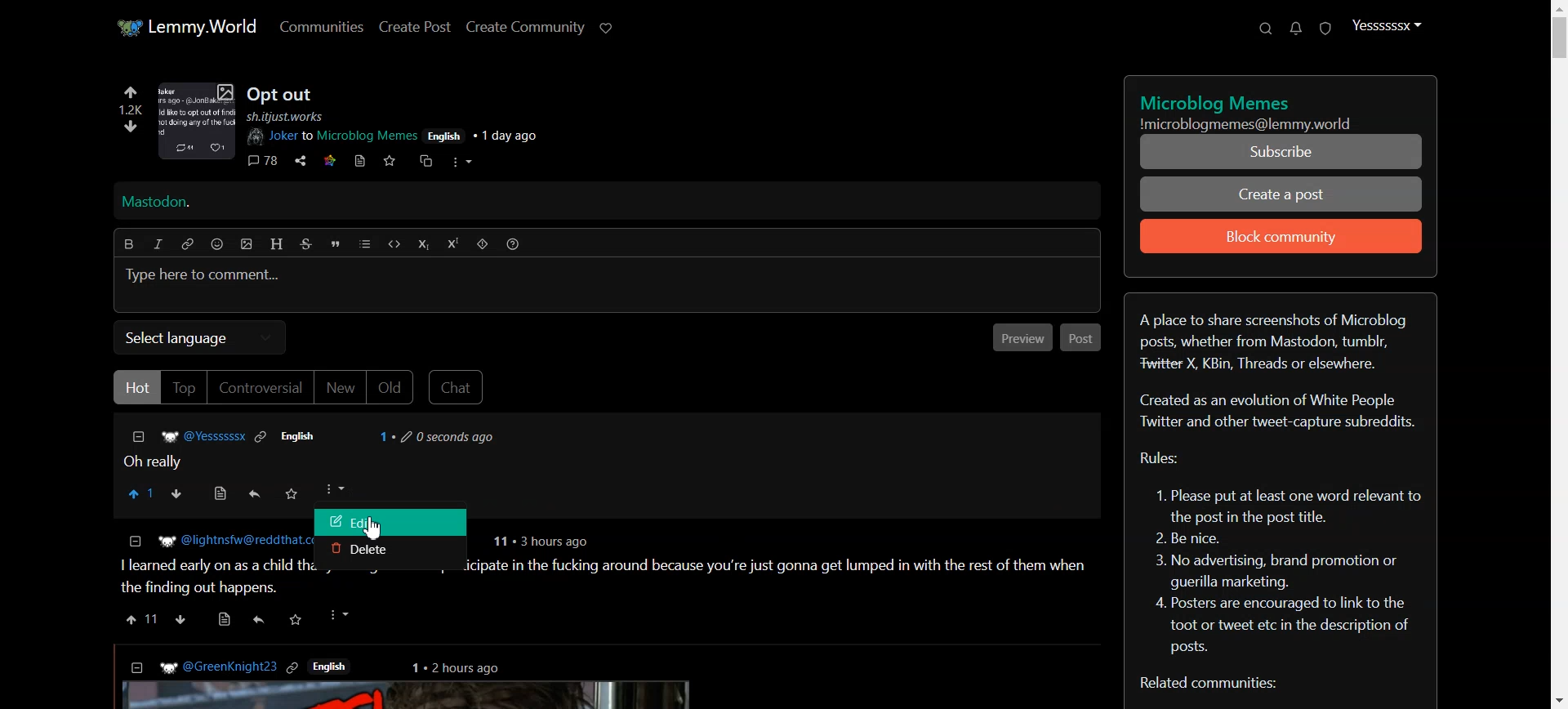 This screenshot has width=1568, height=709. What do you see at coordinates (180, 617) in the screenshot?
I see `downvote` at bounding box center [180, 617].